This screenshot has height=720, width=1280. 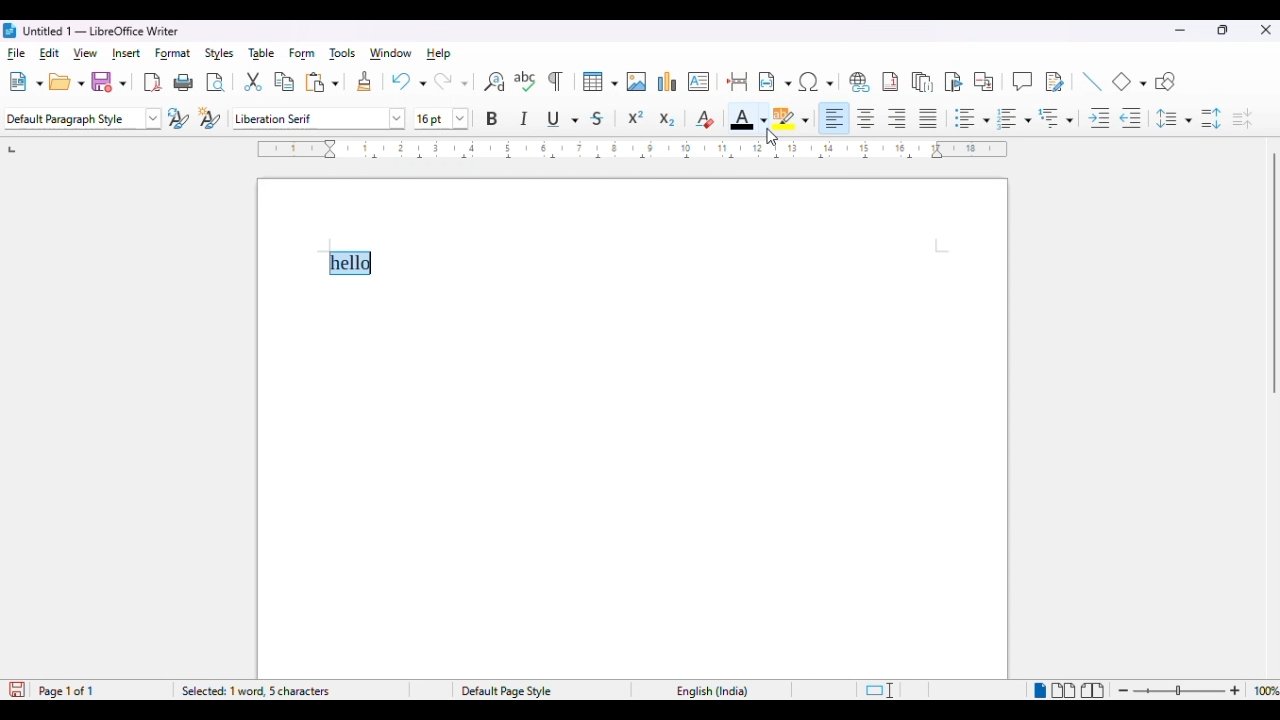 What do you see at coordinates (285, 83) in the screenshot?
I see `copy` at bounding box center [285, 83].